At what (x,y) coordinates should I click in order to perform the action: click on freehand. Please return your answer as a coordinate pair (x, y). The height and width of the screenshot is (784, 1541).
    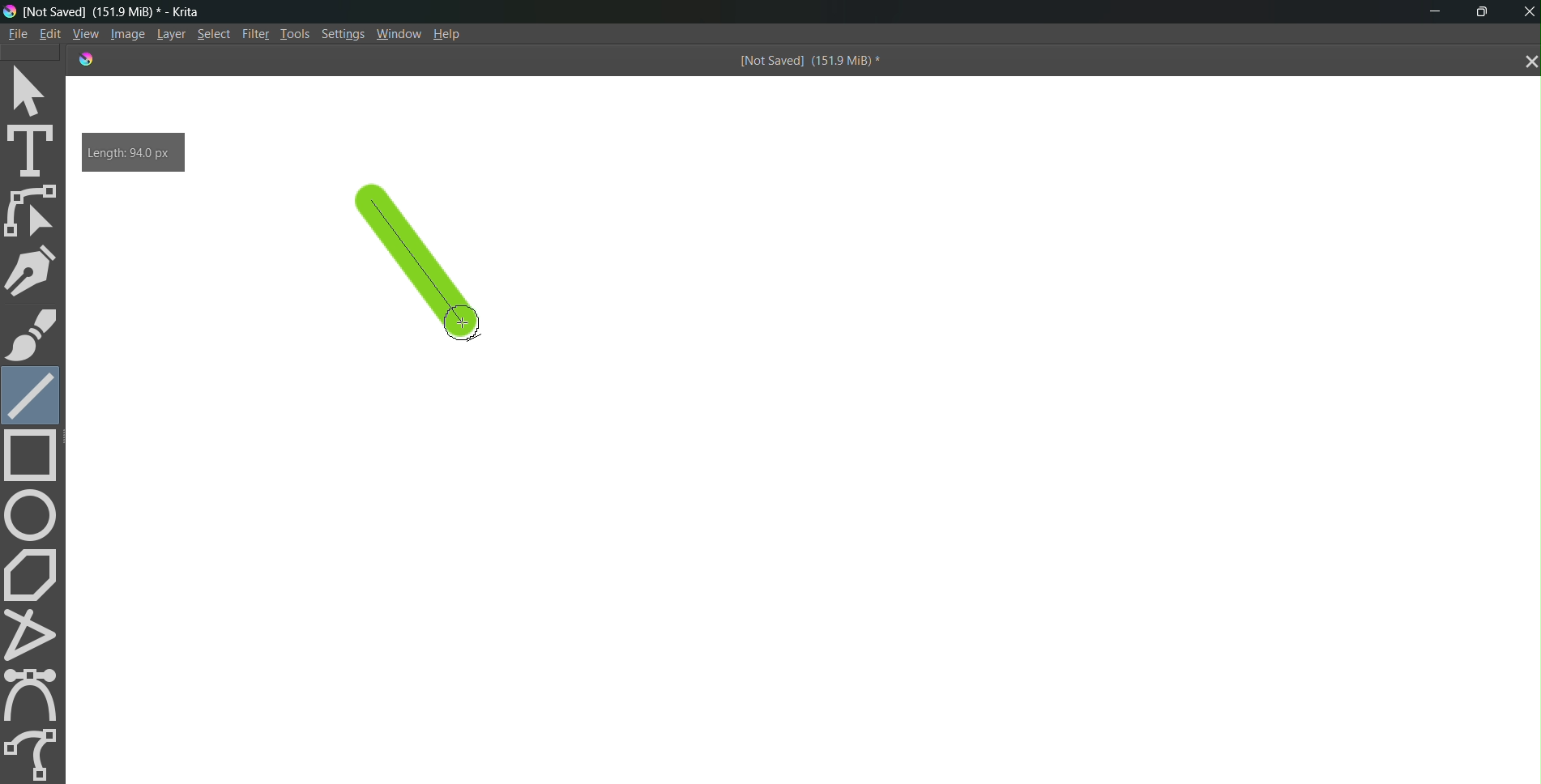
    Looking at the image, I should click on (34, 752).